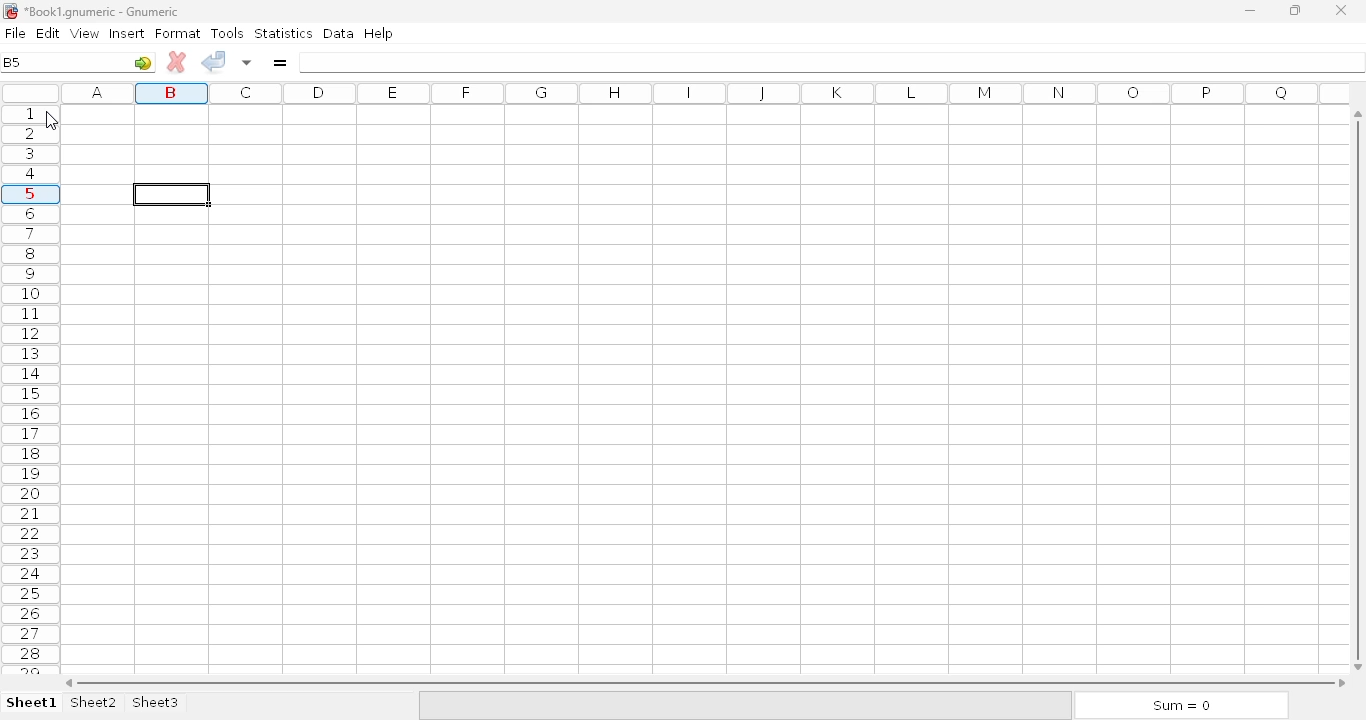 The width and height of the screenshot is (1366, 720). I want to click on statistics, so click(283, 32).